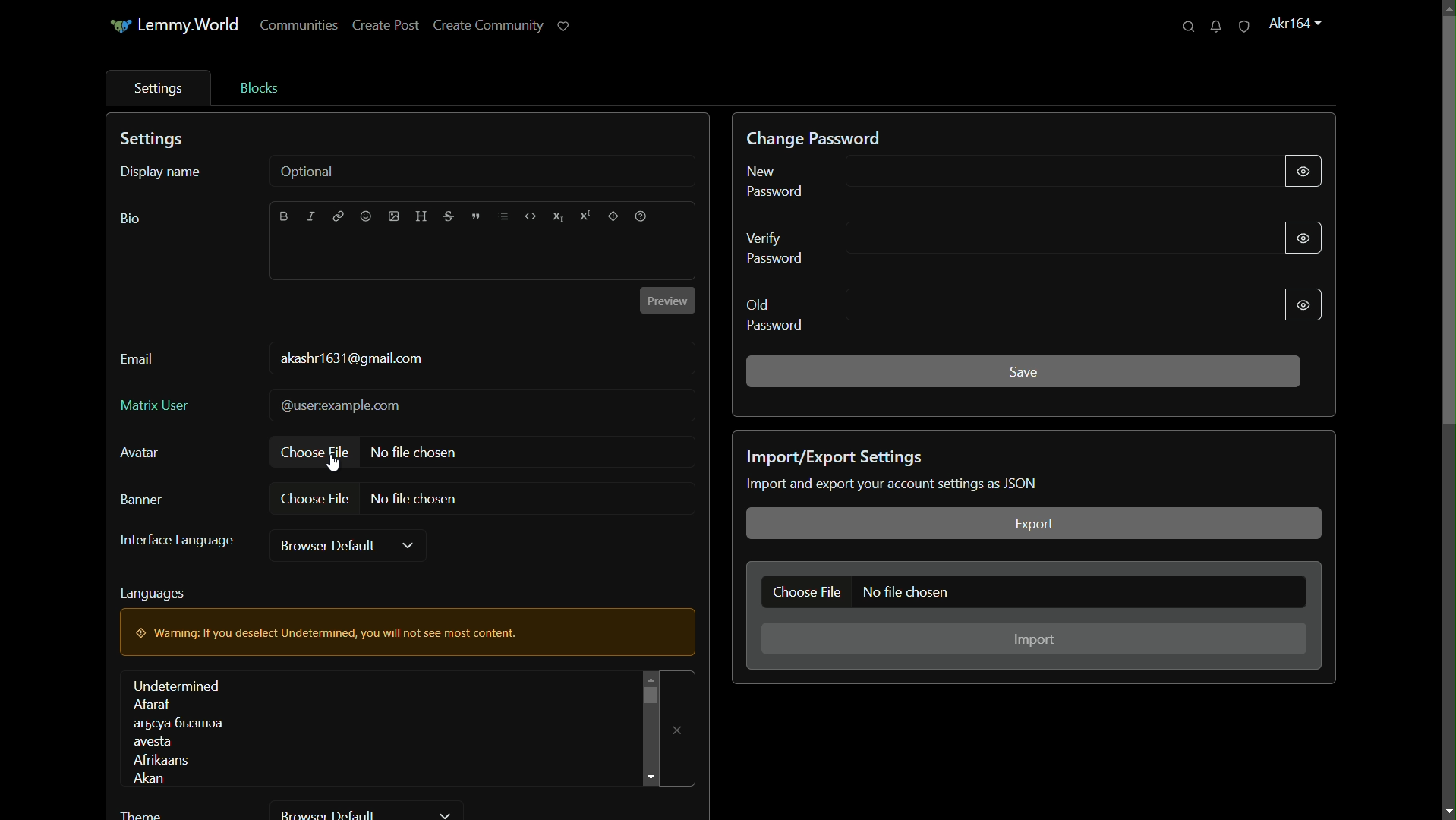 The width and height of the screenshot is (1456, 820). What do you see at coordinates (487, 27) in the screenshot?
I see `create community` at bounding box center [487, 27].